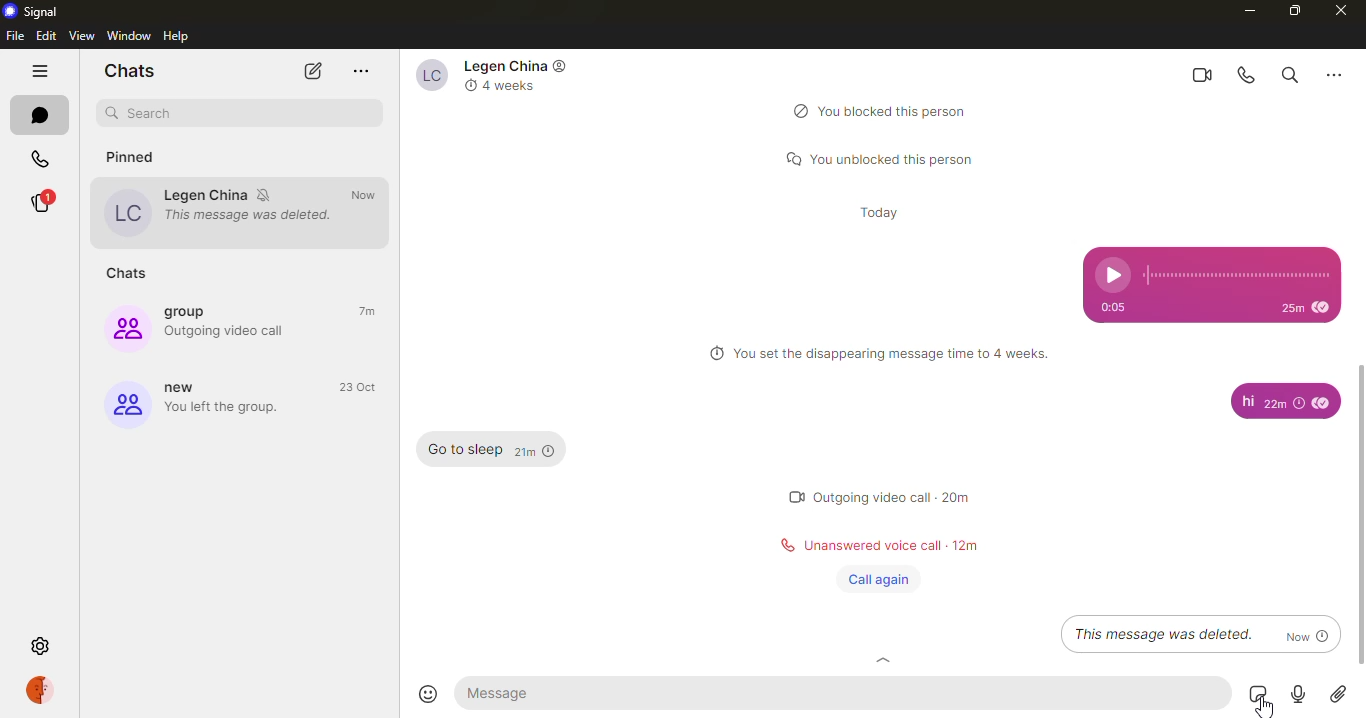  I want to click on search, so click(1288, 74).